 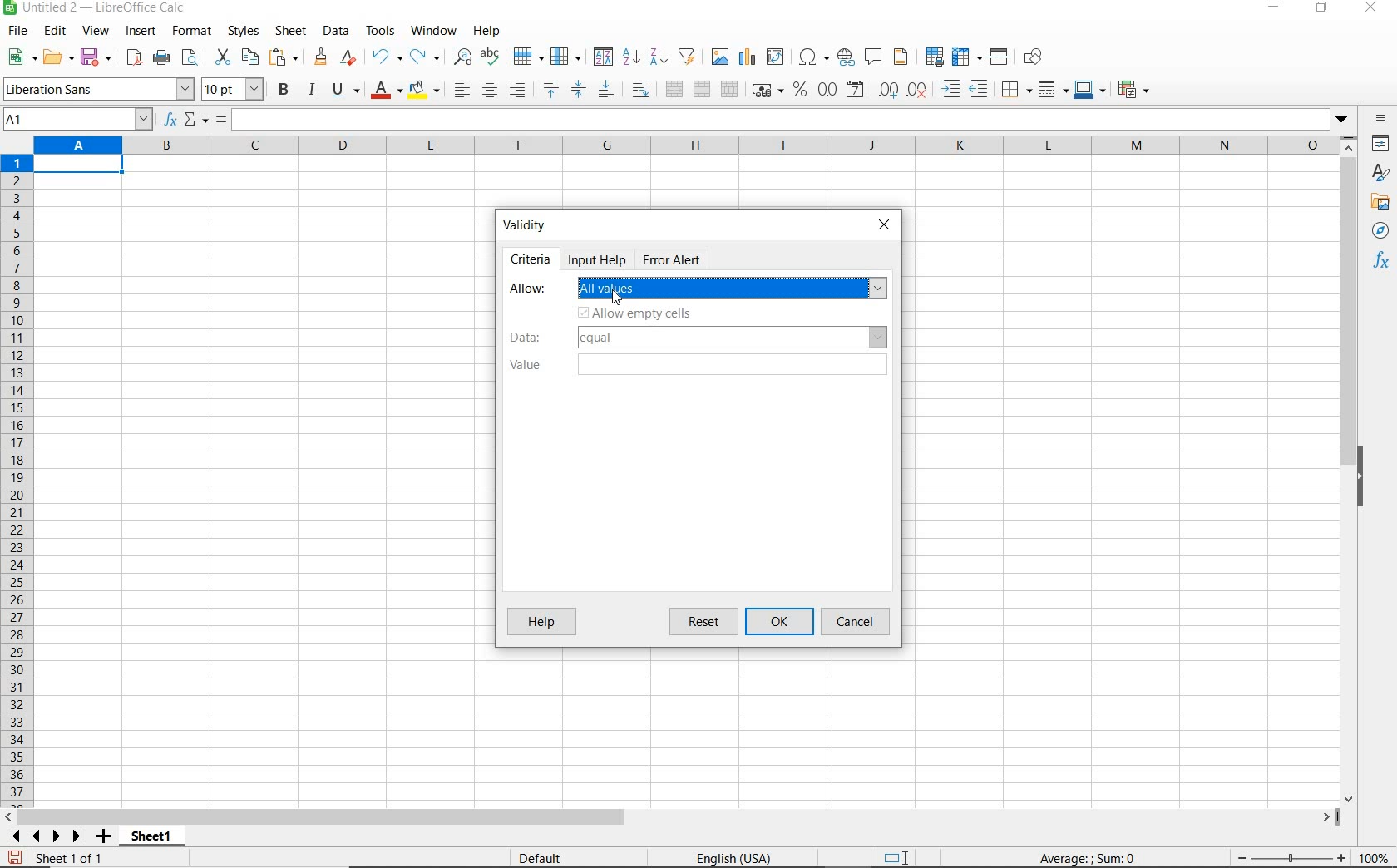 What do you see at coordinates (190, 31) in the screenshot?
I see `format` at bounding box center [190, 31].